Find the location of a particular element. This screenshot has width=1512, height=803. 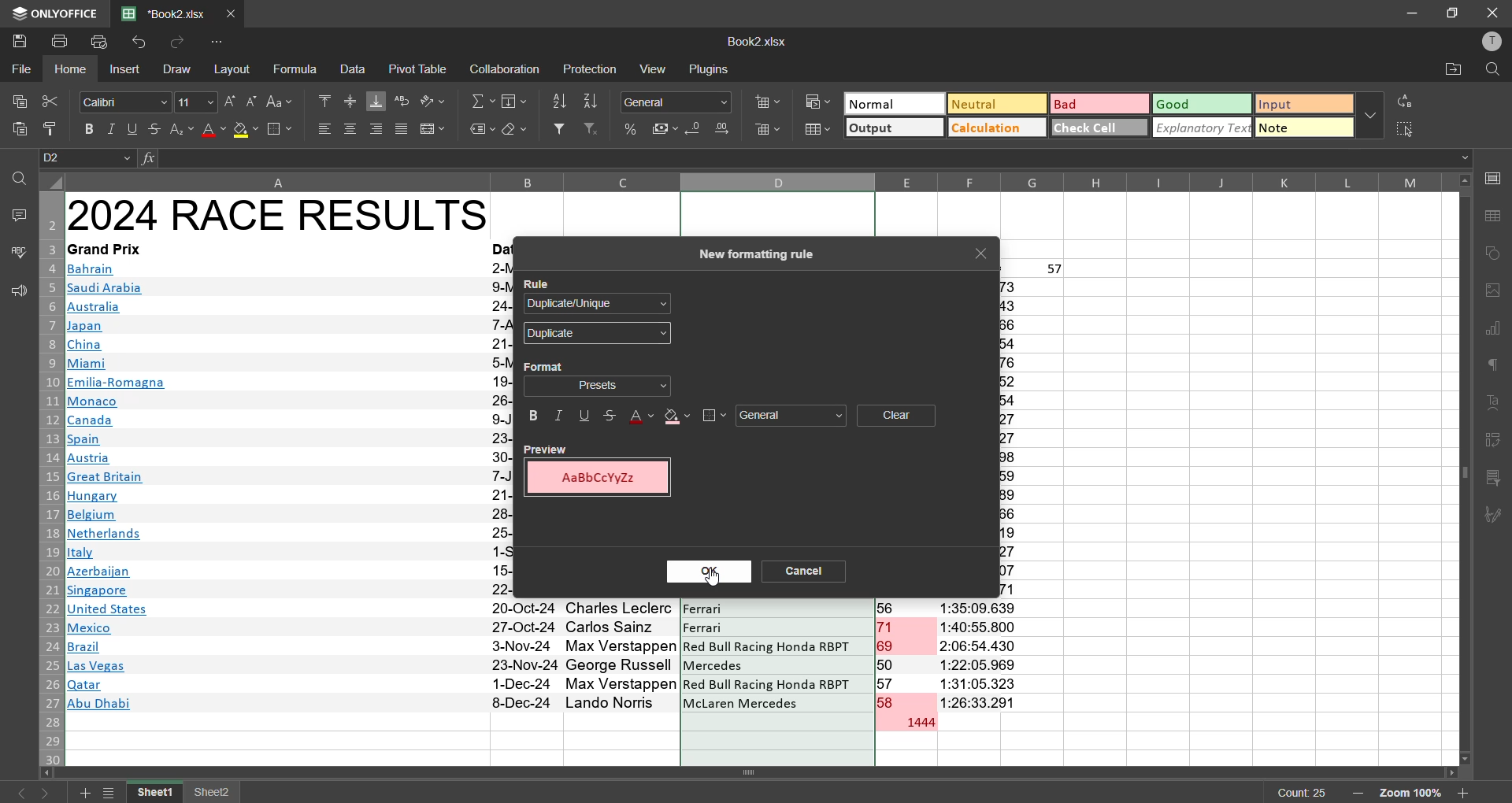

align center is located at coordinates (350, 128).